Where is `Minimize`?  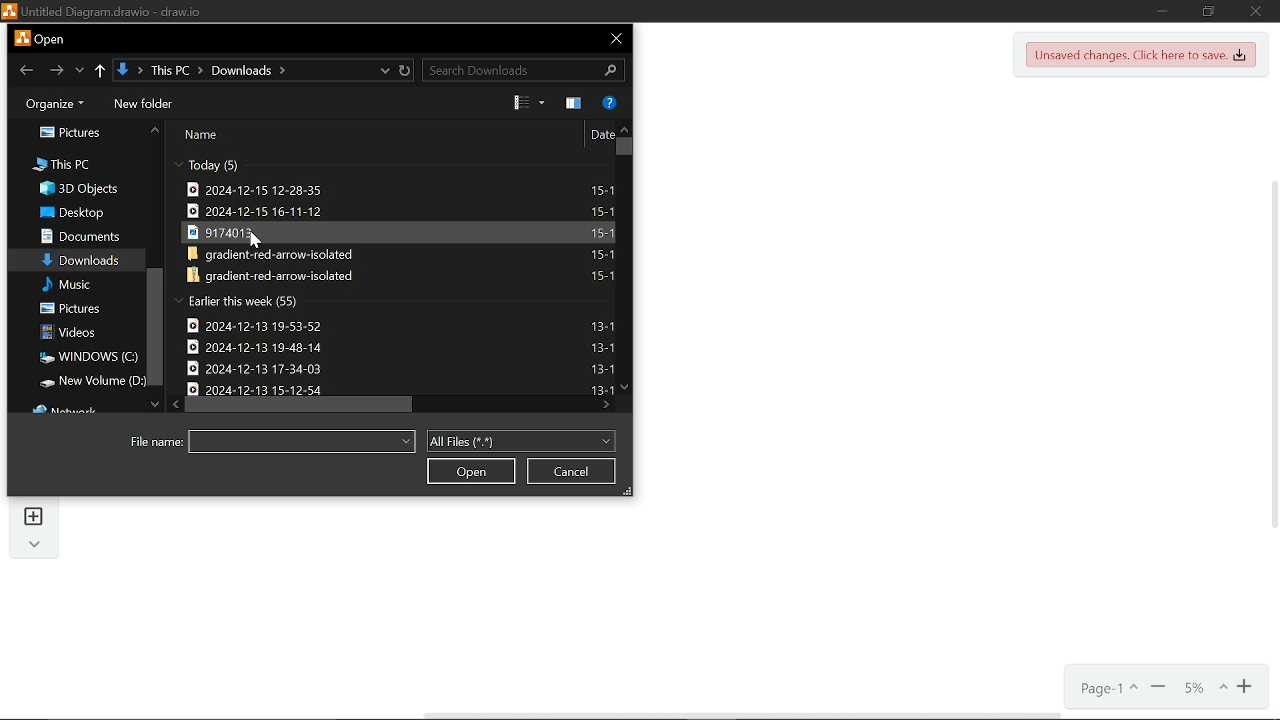 Minimize is located at coordinates (1164, 10).